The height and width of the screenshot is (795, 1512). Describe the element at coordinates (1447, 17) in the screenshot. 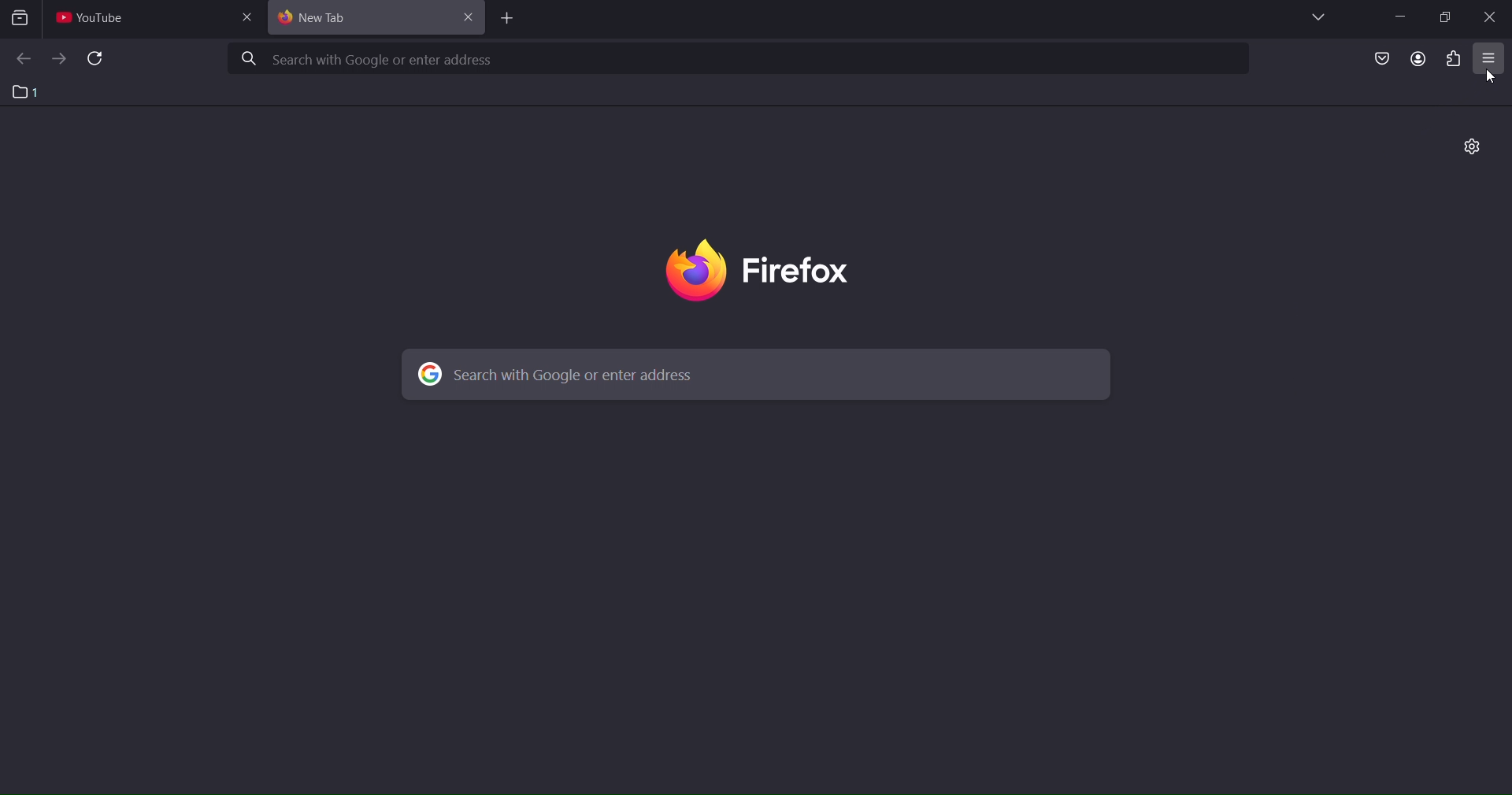

I see `restore down` at that location.